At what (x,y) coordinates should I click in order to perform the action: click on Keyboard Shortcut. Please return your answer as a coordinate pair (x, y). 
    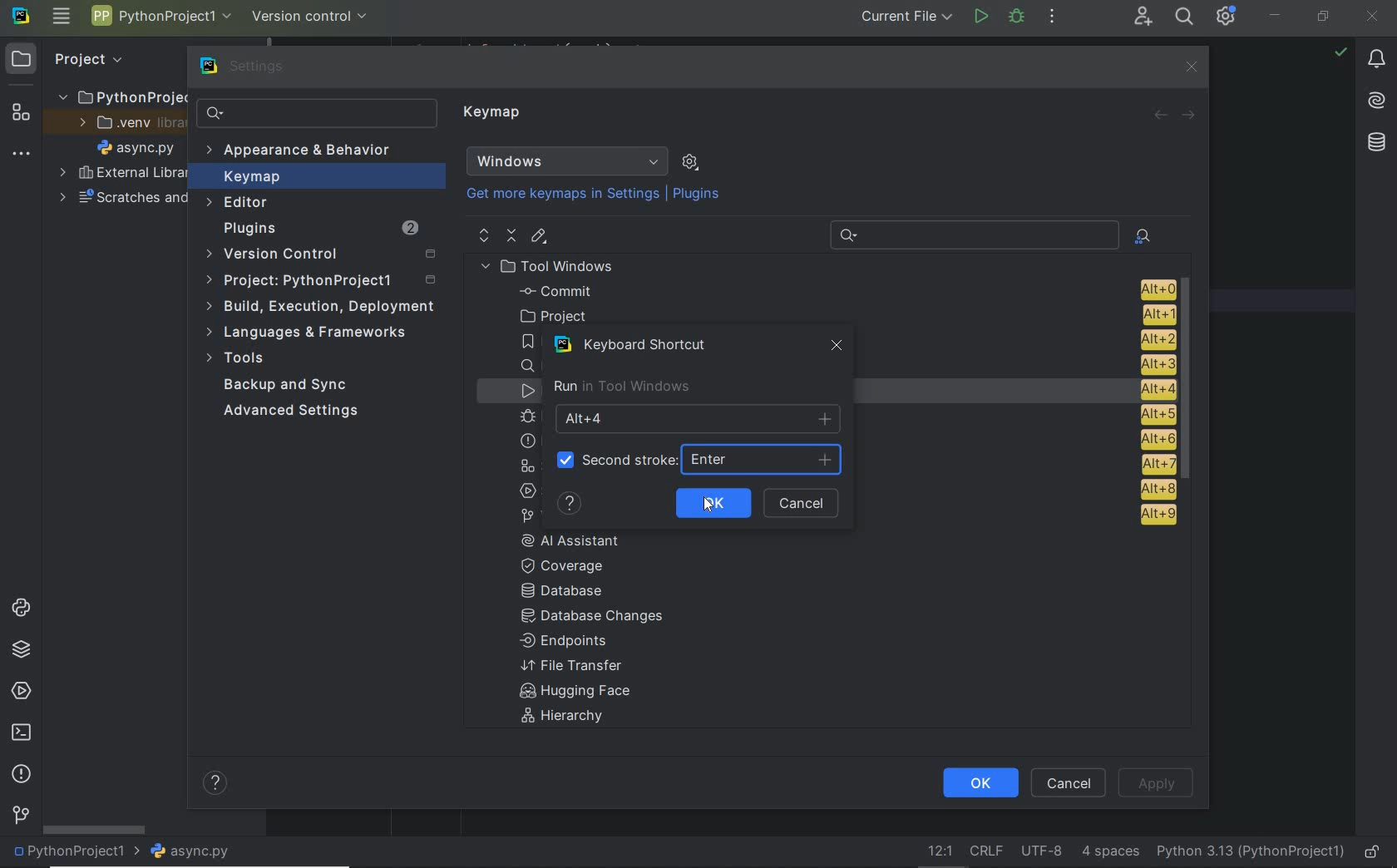
    Looking at the image, I should click on (638, 345).